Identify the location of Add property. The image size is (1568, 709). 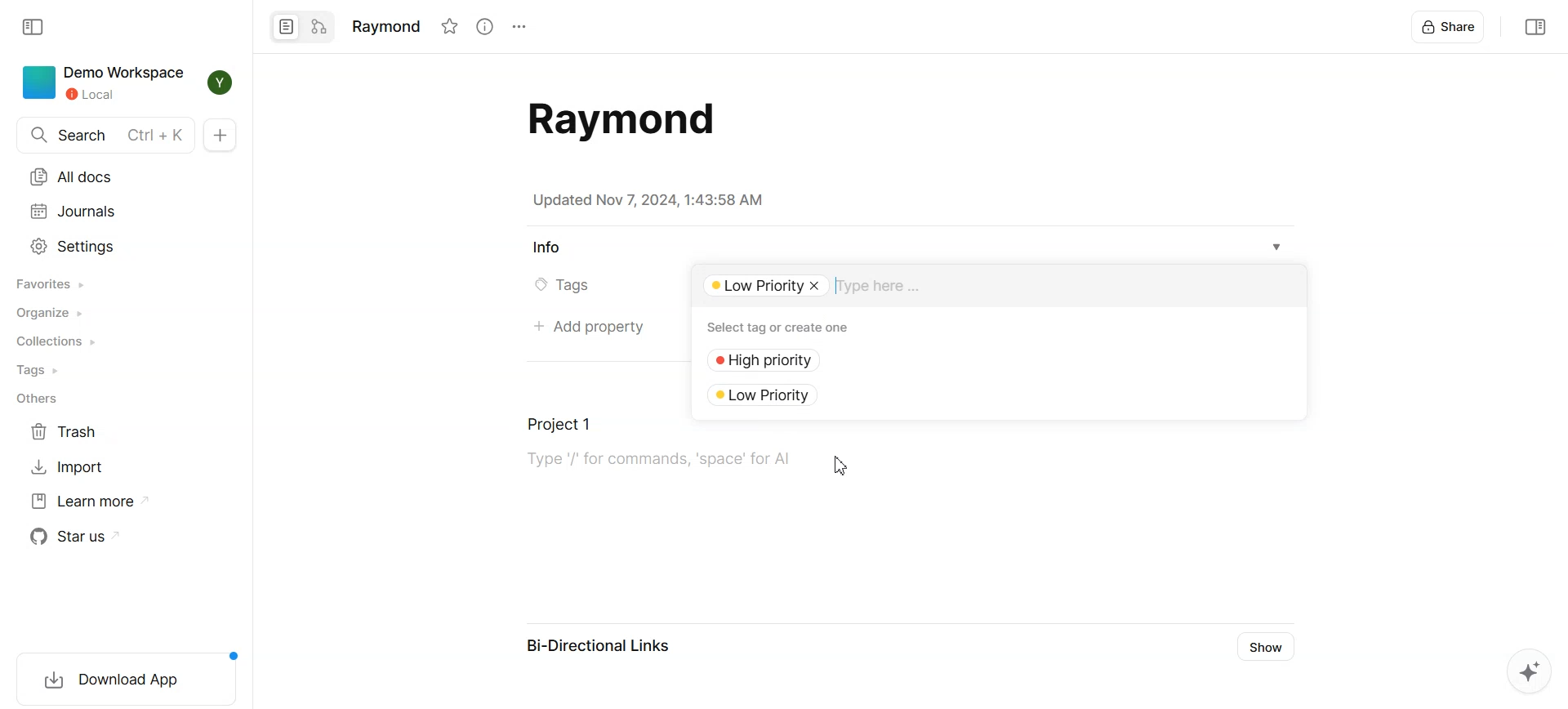
(587, 328).